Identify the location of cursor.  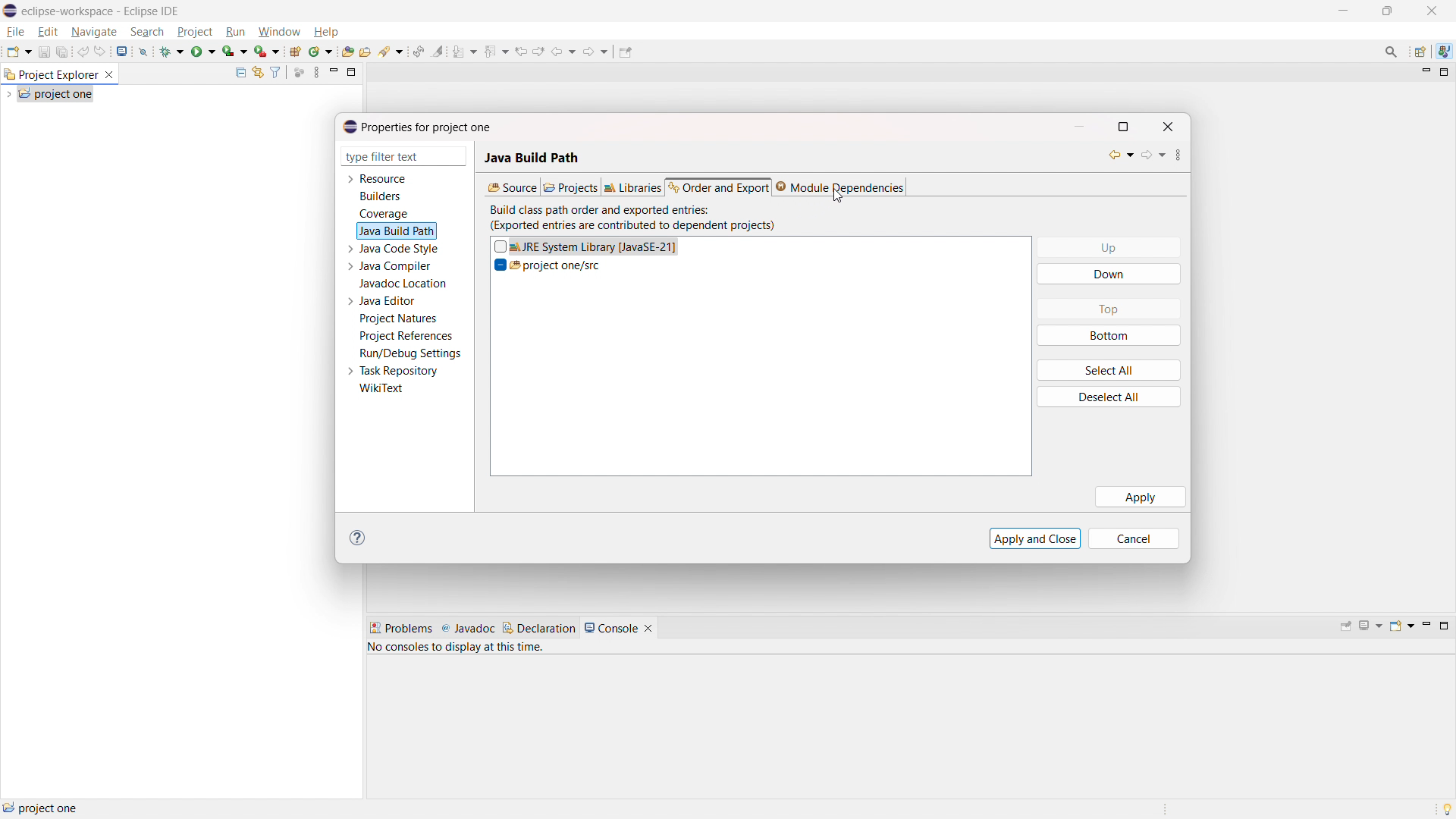
(839, 196).